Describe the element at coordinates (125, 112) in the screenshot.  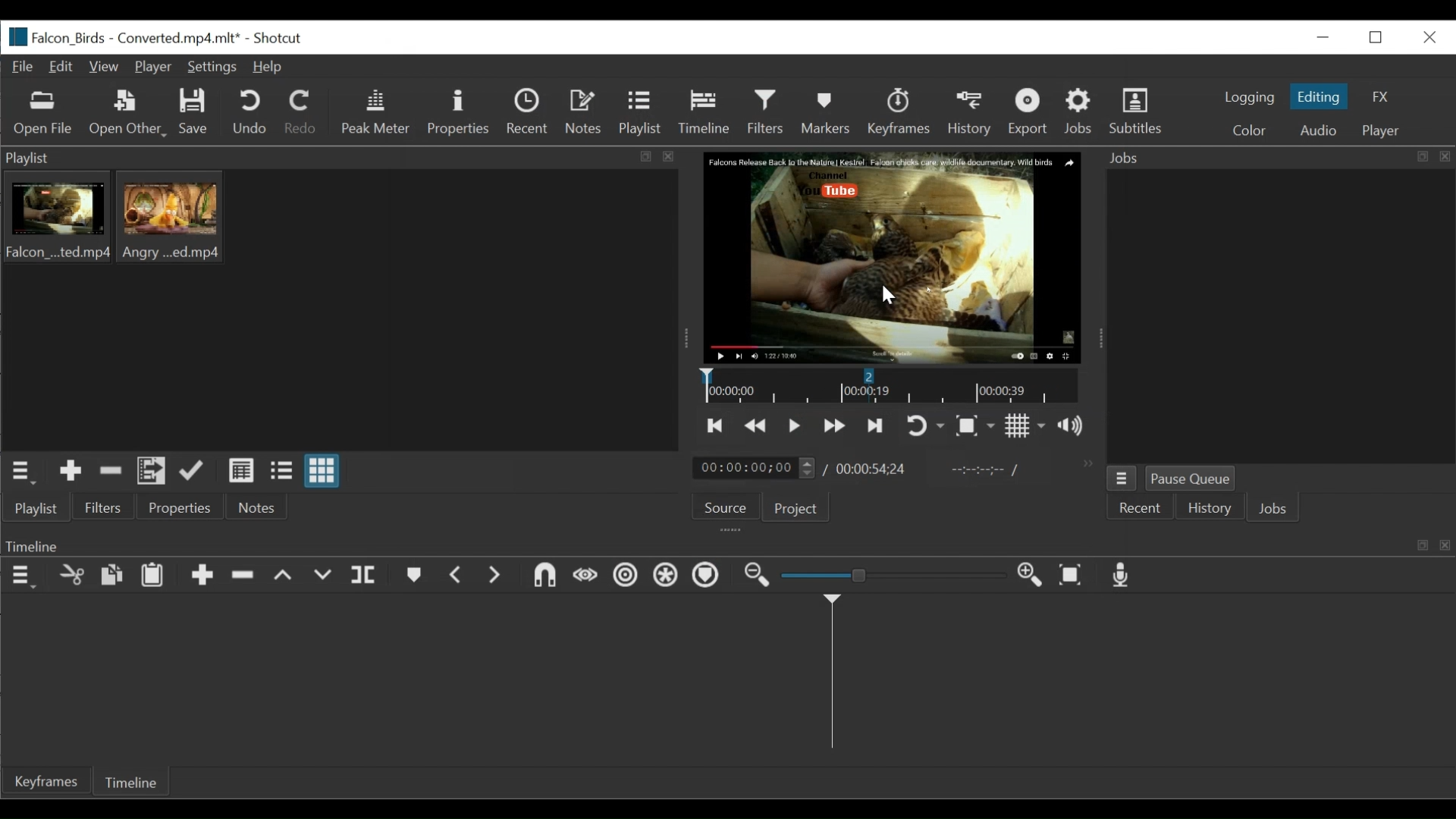
I see `Open Other` at that location.